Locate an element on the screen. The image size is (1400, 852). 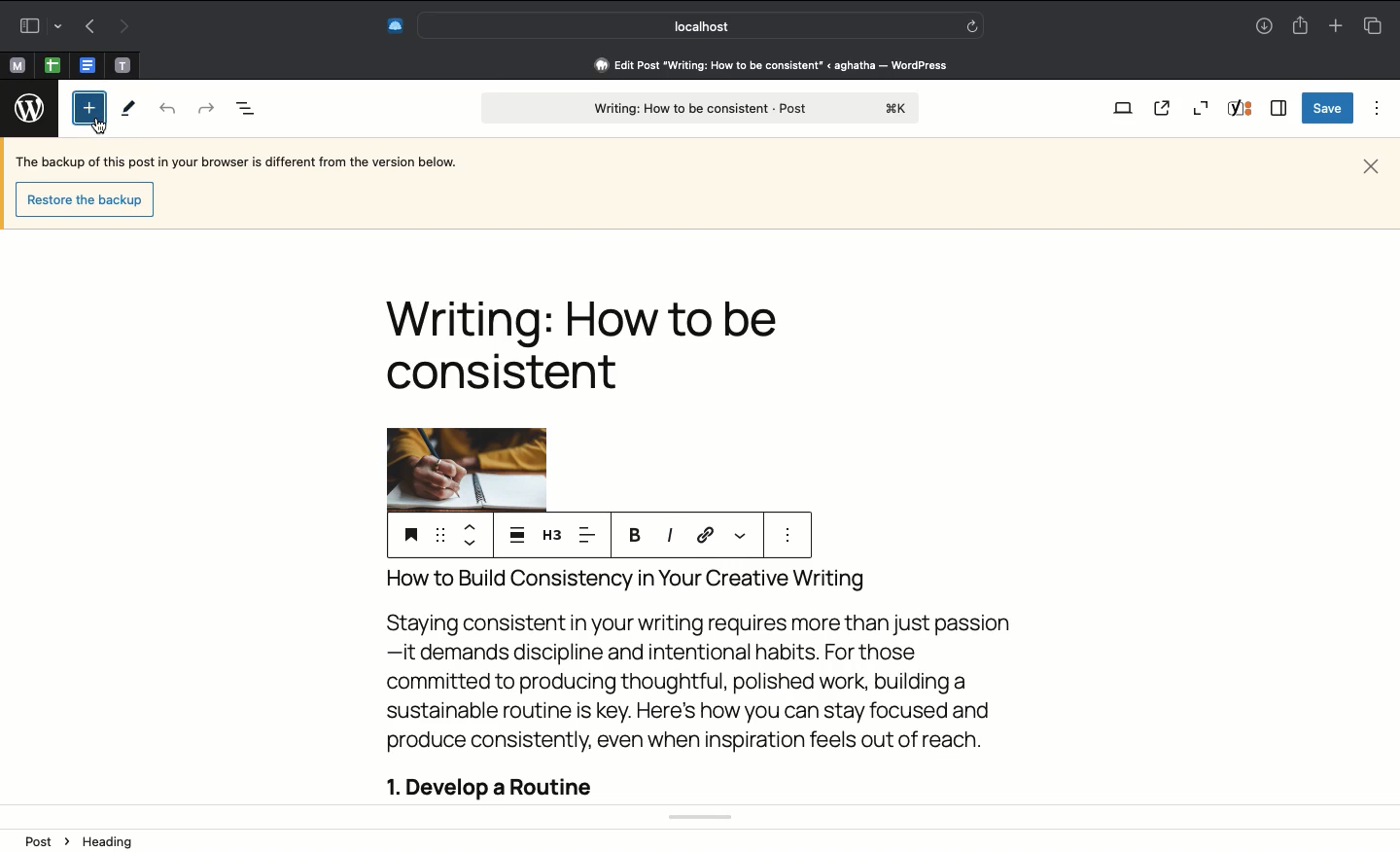
Wordpress is located at coordinates (33, 107).